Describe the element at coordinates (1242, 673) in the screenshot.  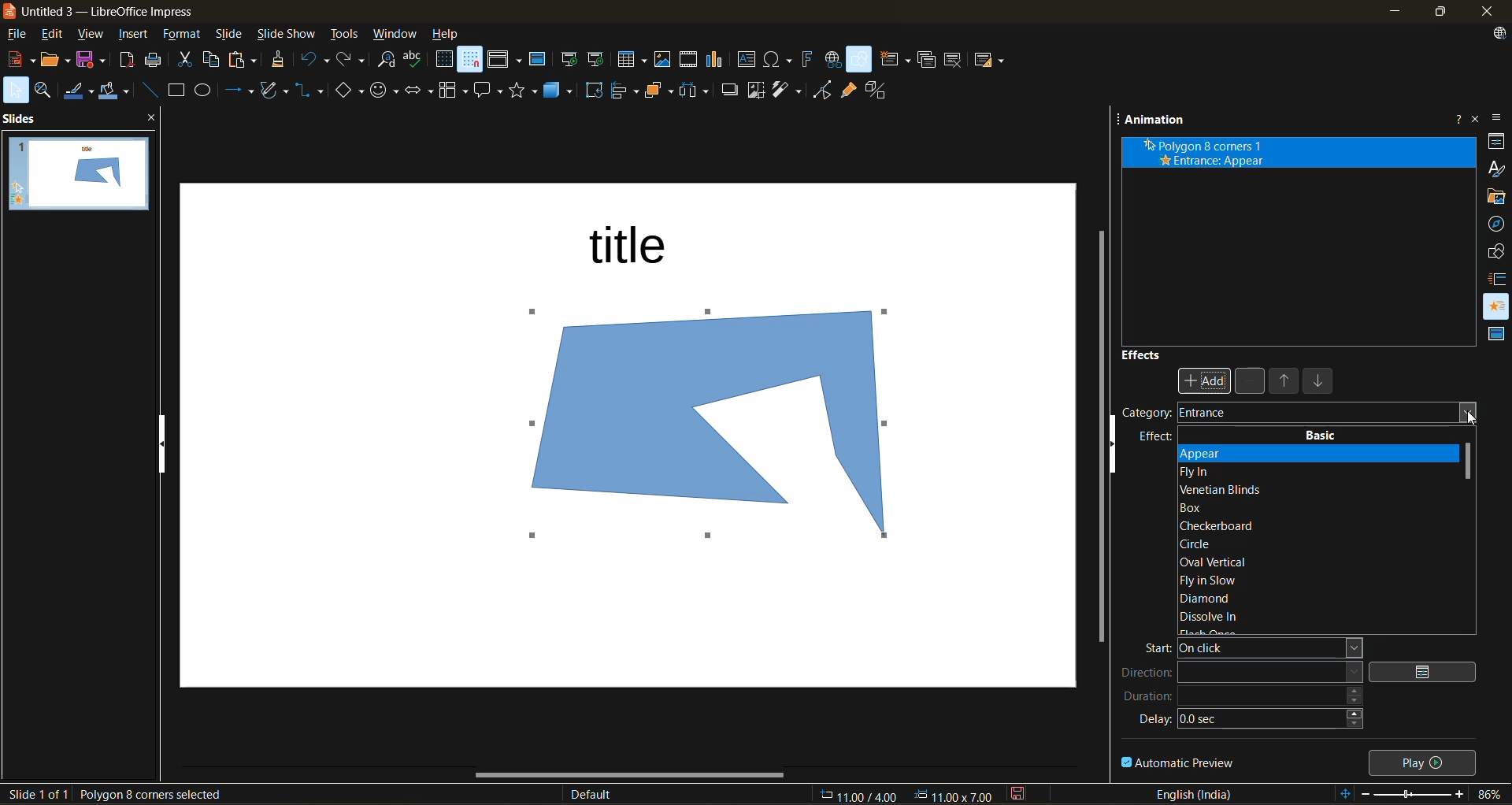
I see `direction` at that location.